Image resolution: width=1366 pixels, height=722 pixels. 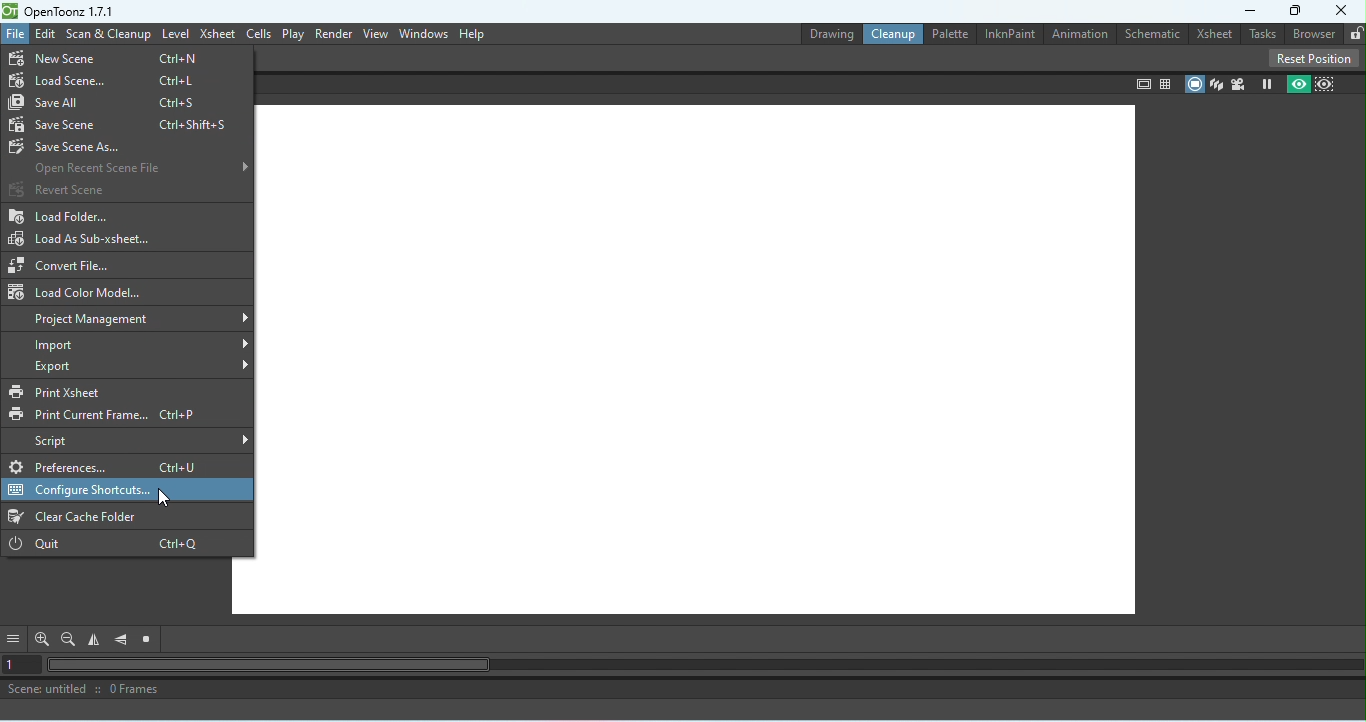 I want to click on Horizontal scroll bar, so click(x=705, y=666).